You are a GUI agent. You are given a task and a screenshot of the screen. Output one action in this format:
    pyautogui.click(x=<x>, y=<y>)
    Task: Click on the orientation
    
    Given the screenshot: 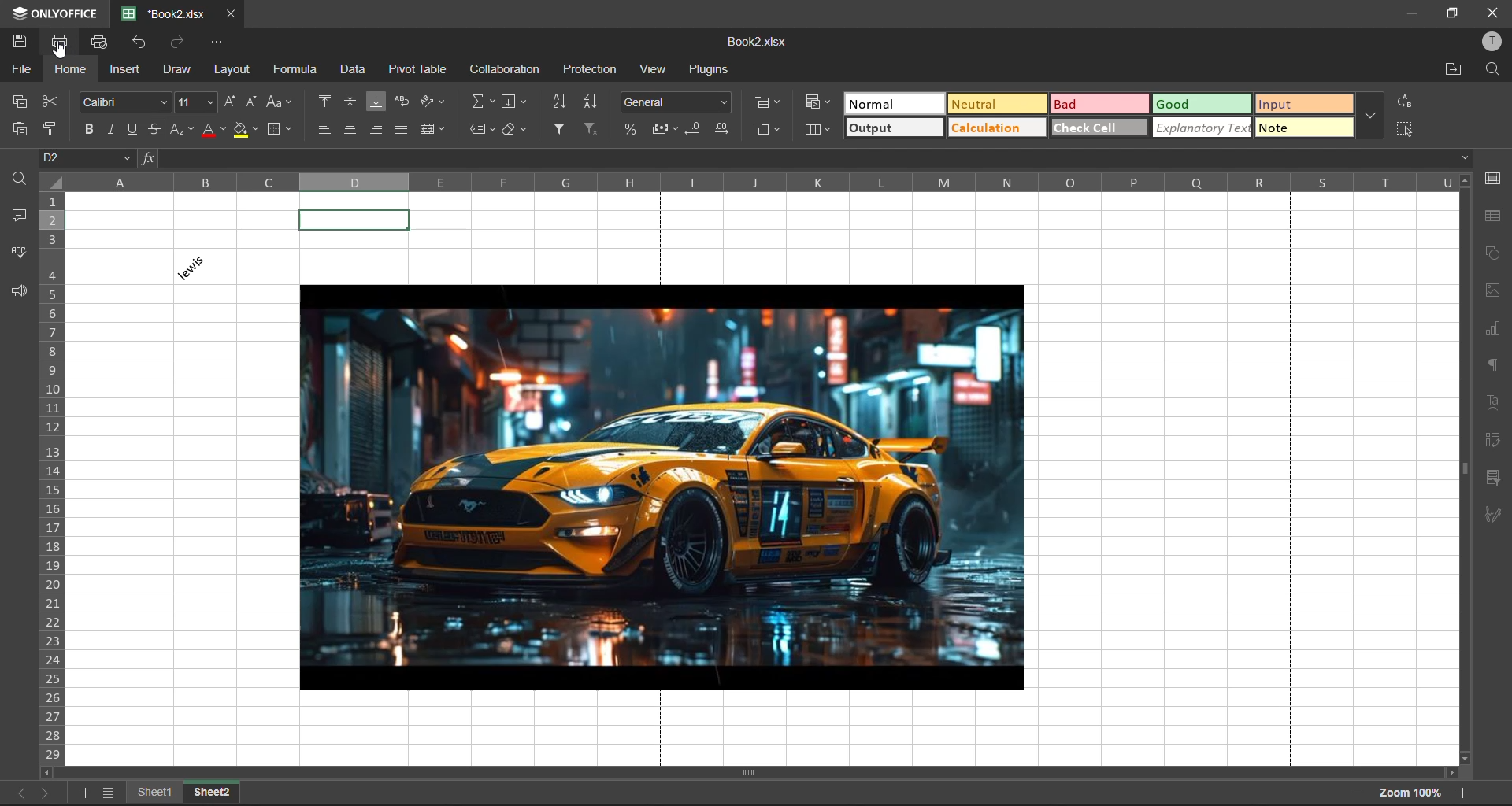 What is the action you would take?
    pyautogui.click(x=433, y=102)
    